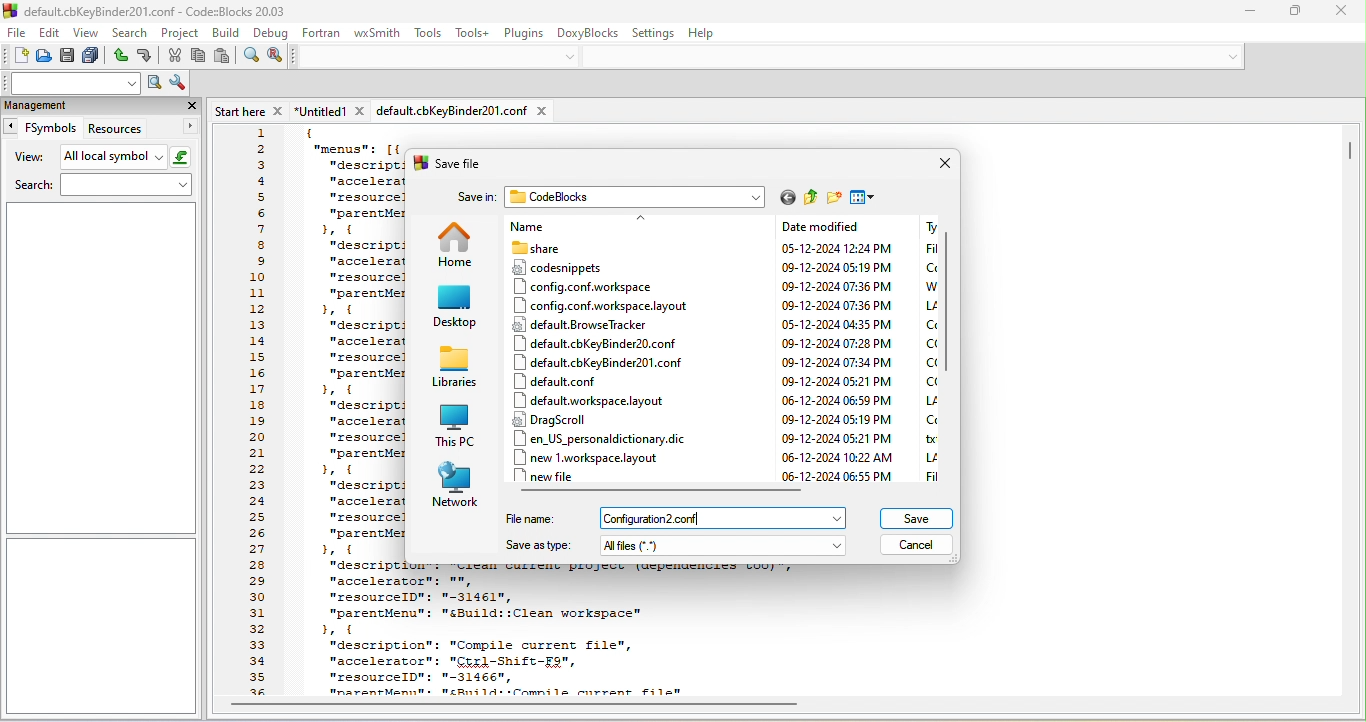  What do you see at coordinates (810, 198) in the screenshot?
I see `up one level` at bounding box center [810, 198].